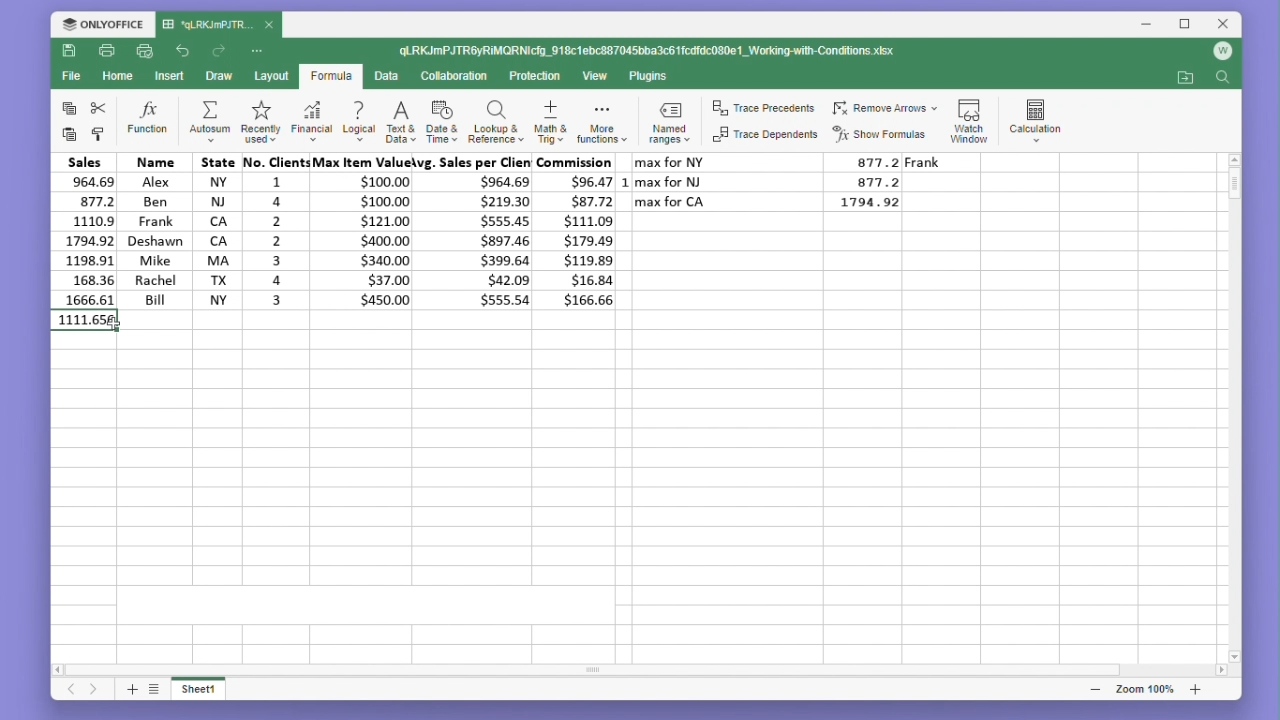  Describe the element at coordinates (106, 50) in the screenshot. I see `Print file` at that location.